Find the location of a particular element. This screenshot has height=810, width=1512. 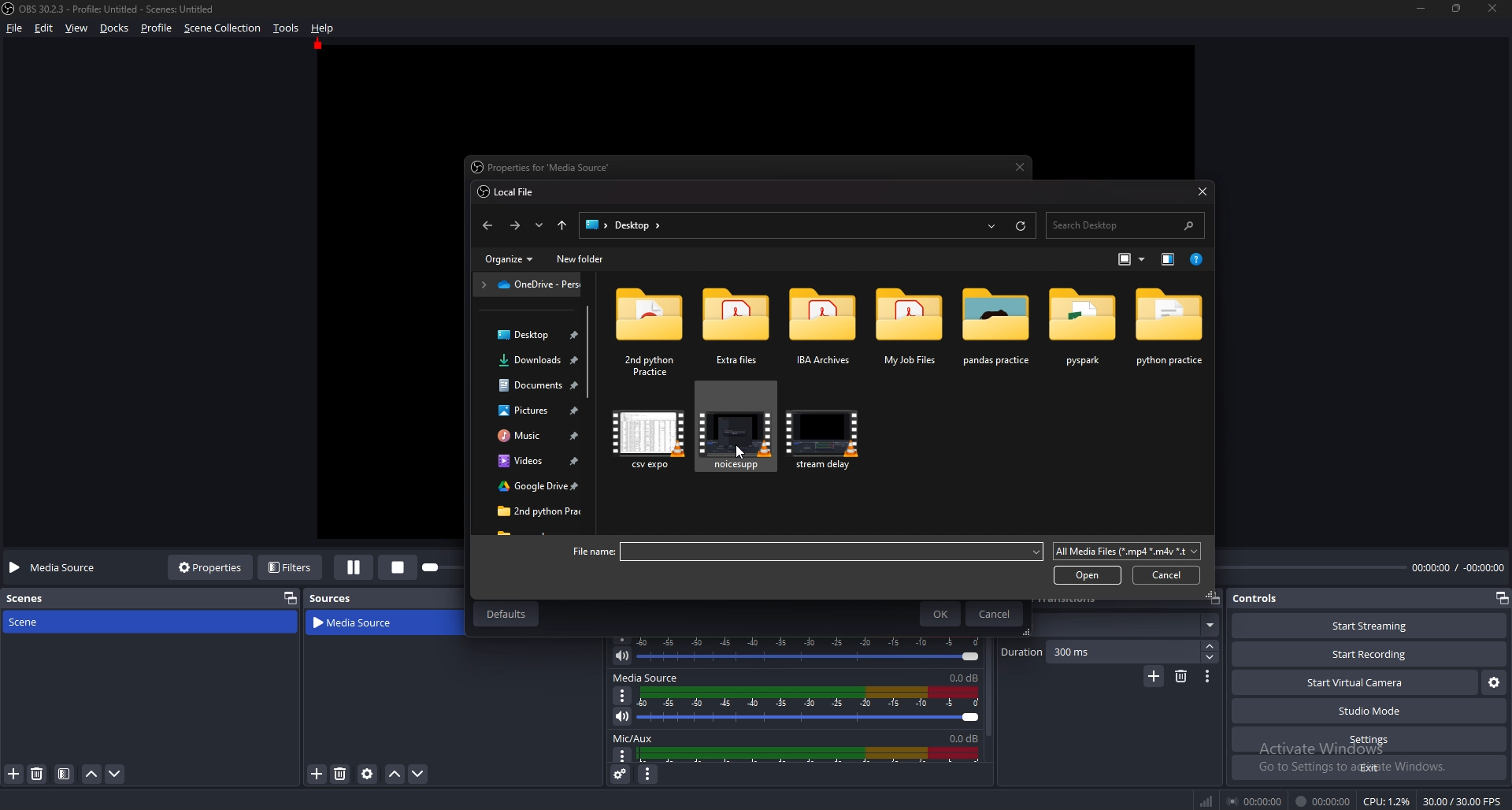

Scene collection is located at coordinates (223, 28).